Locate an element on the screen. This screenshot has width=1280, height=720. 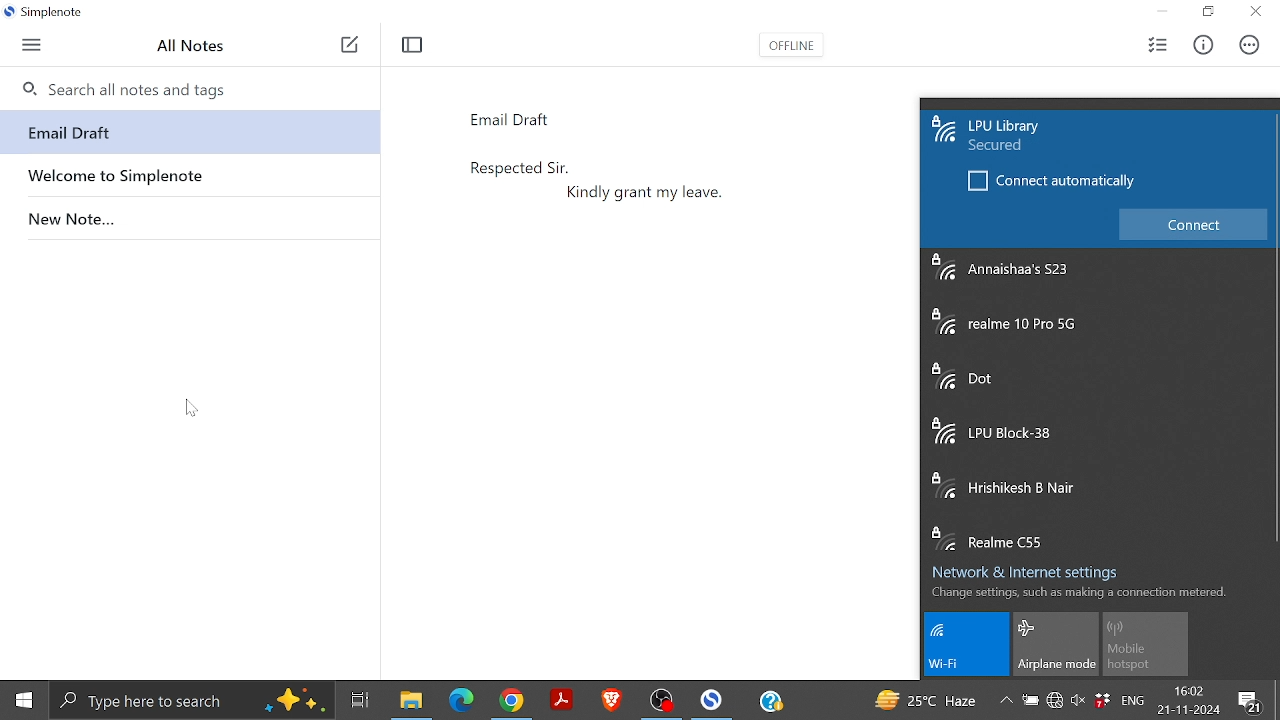
Restore down is located at coordinates (1209, 12).